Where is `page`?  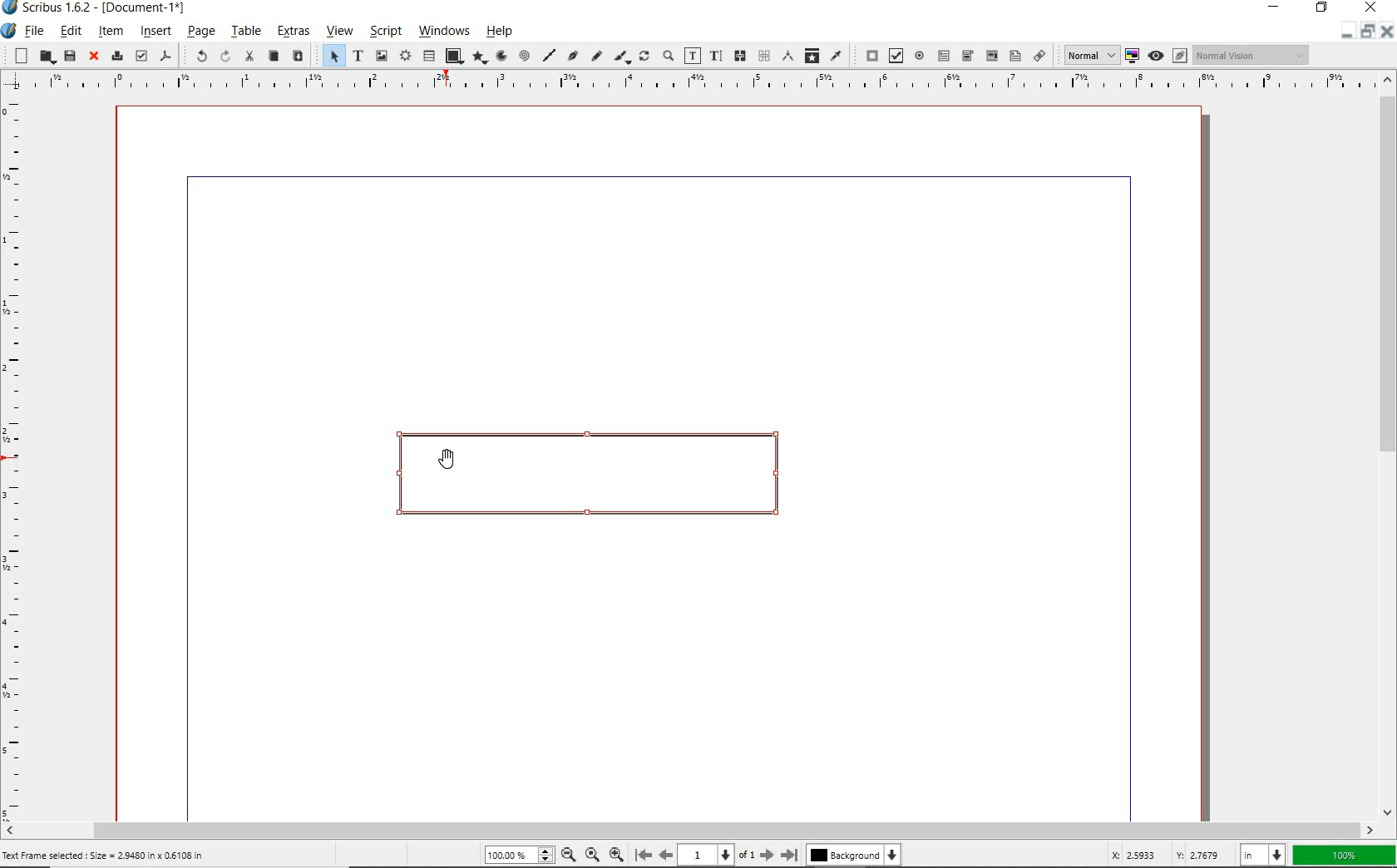 page is located at coordinates (200, 32).